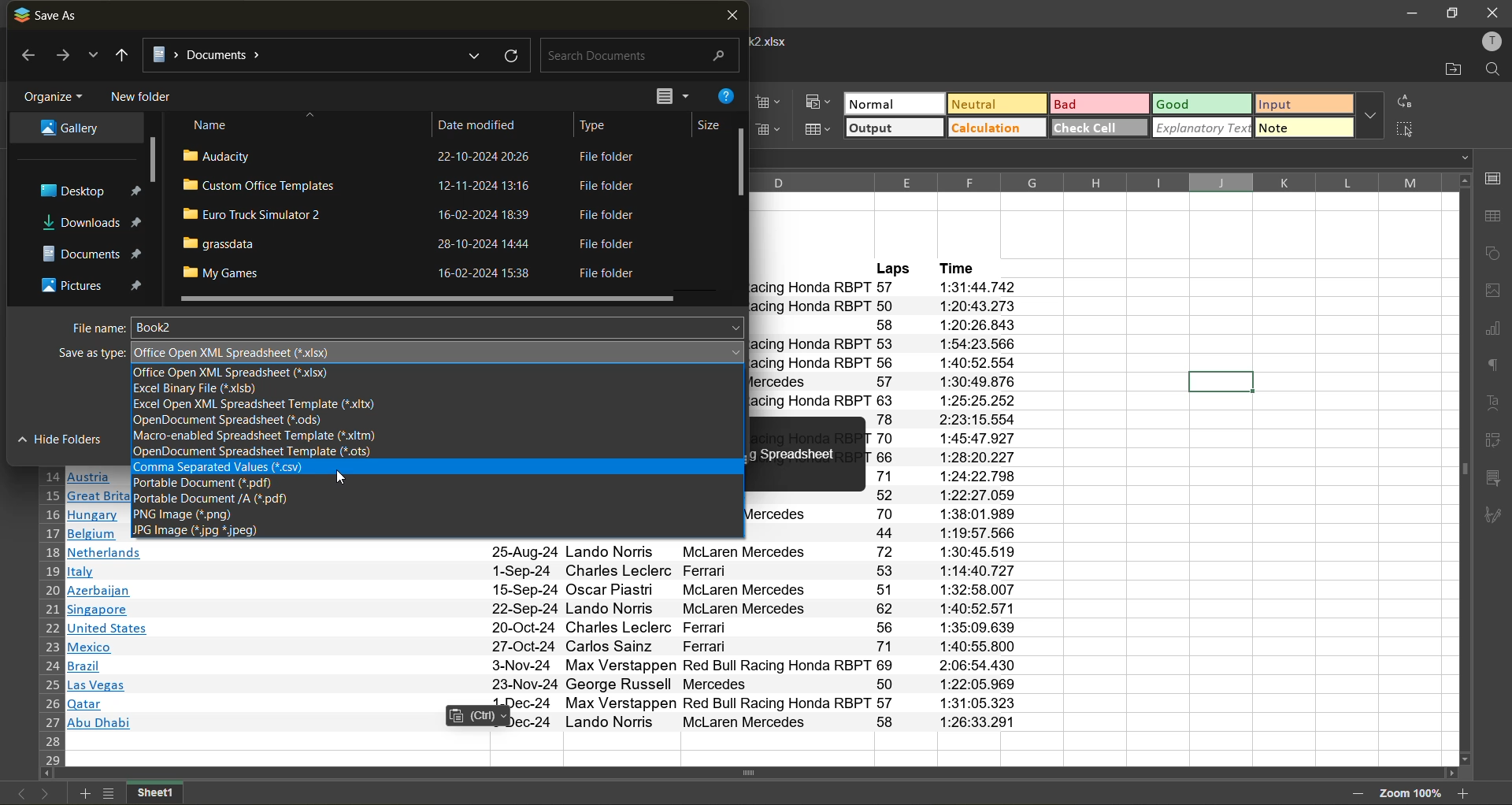 The height and width of the screenshot is (805, 1512). What do you see at coordinates (1450, 774) in the screenshot?
I see `move right` at bounding box center [1450, 774].